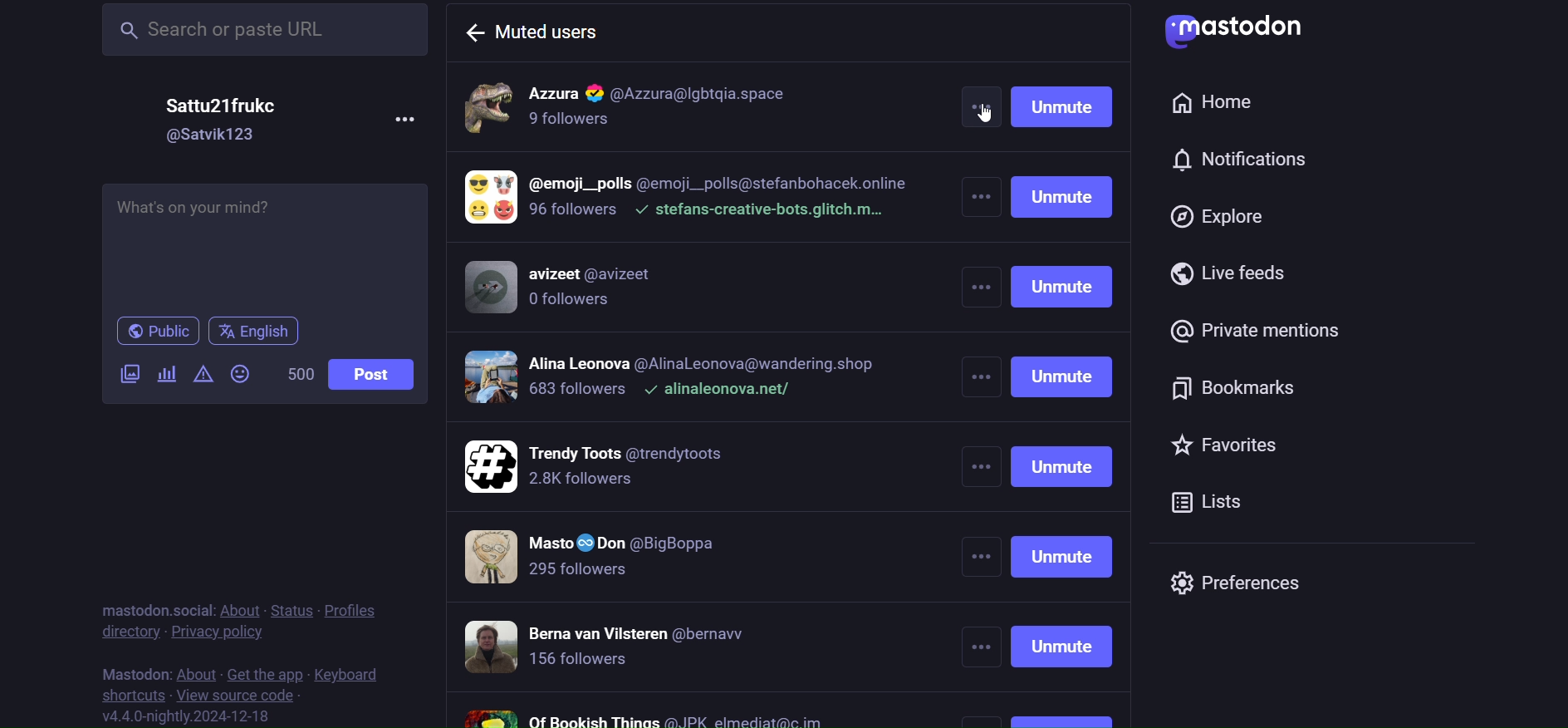 The height and width of the screenshot is (728, 1568). I want to click on post here, so click(267, 243).